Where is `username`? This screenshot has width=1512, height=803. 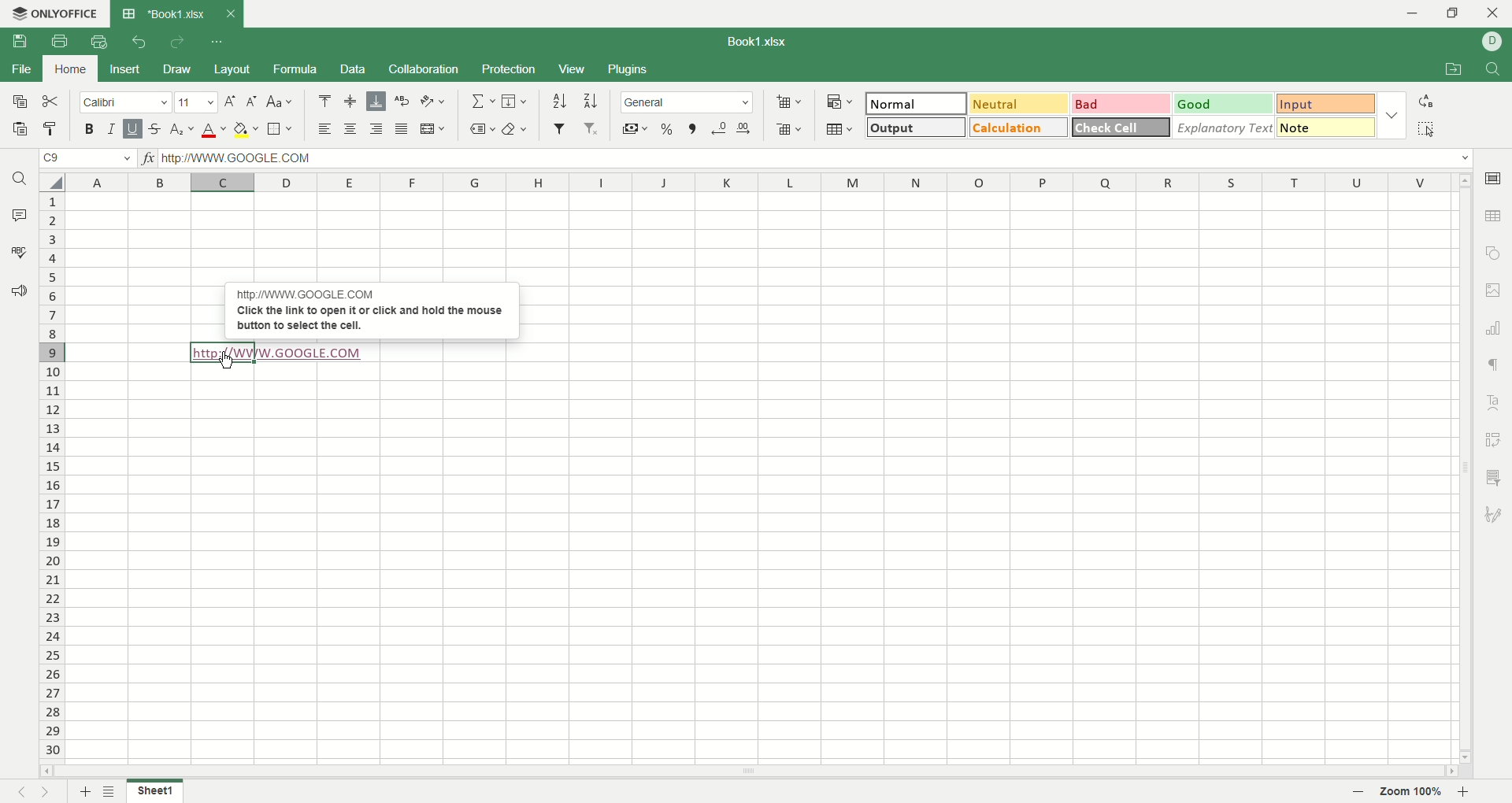 username is located at coordinates (1493, 41).